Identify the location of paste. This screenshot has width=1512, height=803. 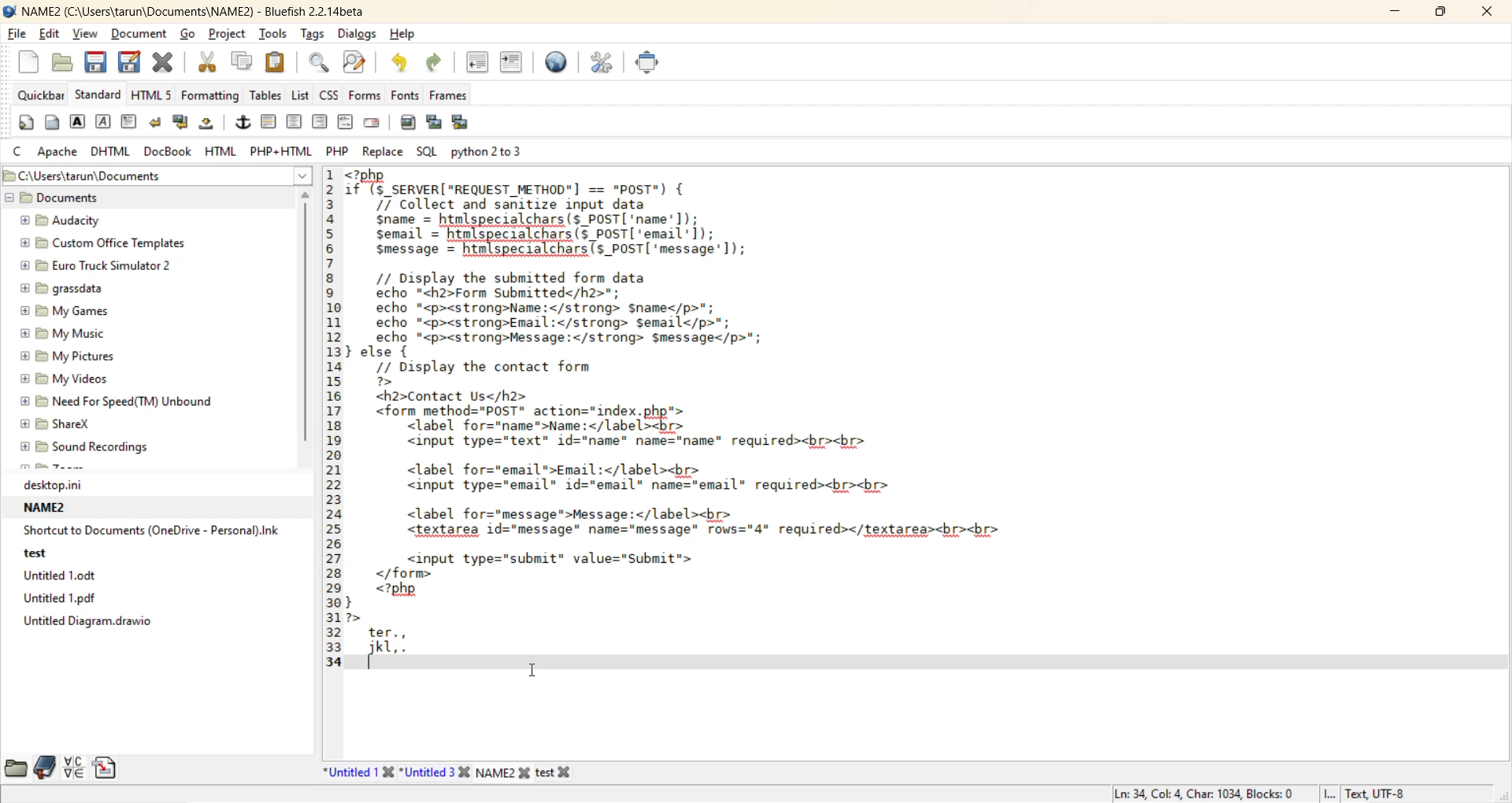
(276, 61).